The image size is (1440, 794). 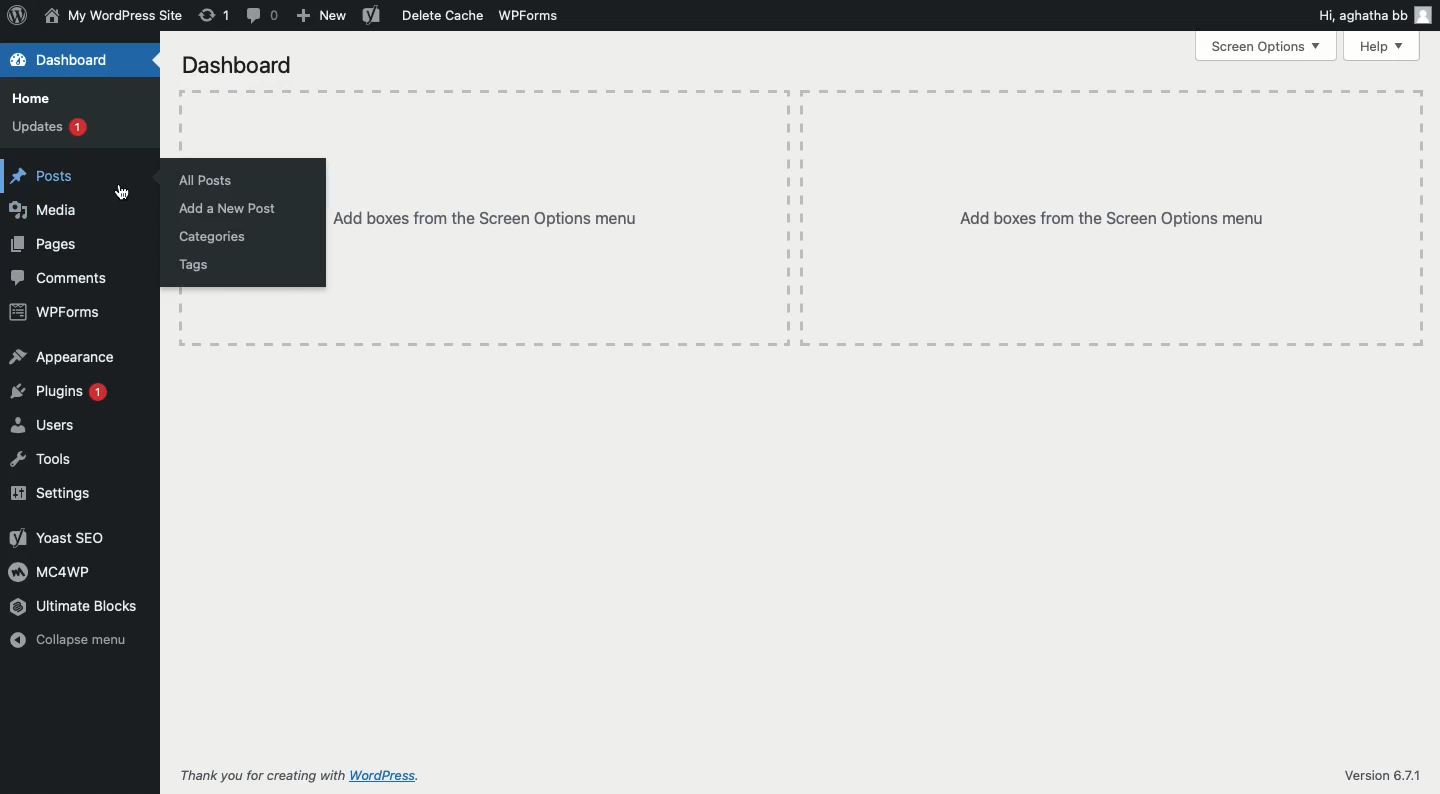 What do you see at coordinates (322, 14) in the screenshot?
I see `New` at bounding box center [322, 14].